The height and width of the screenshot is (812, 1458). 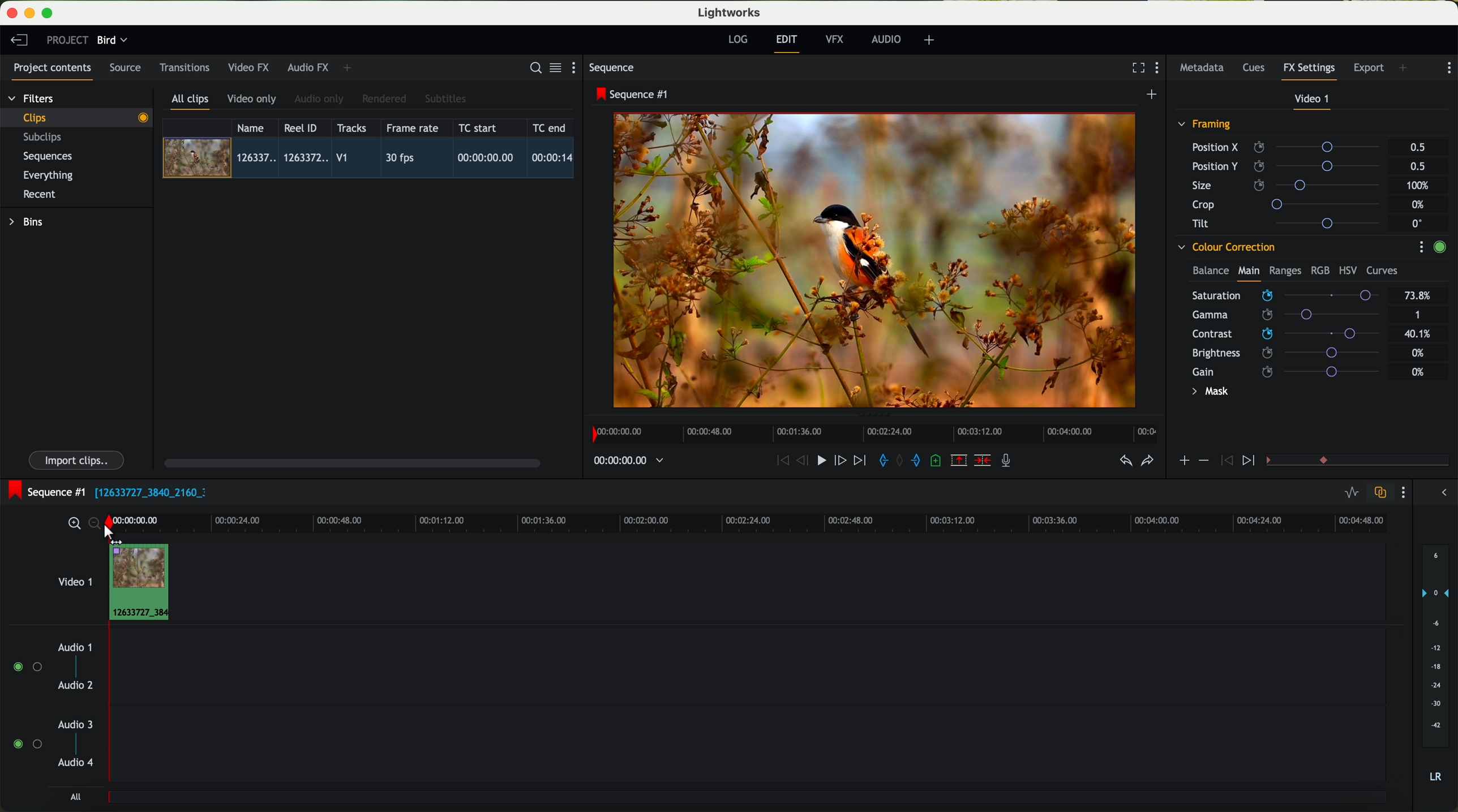 What do you see at coordinates (871, 431) in the screenshot?
I see `timeline` at bounding box center [871, 431].